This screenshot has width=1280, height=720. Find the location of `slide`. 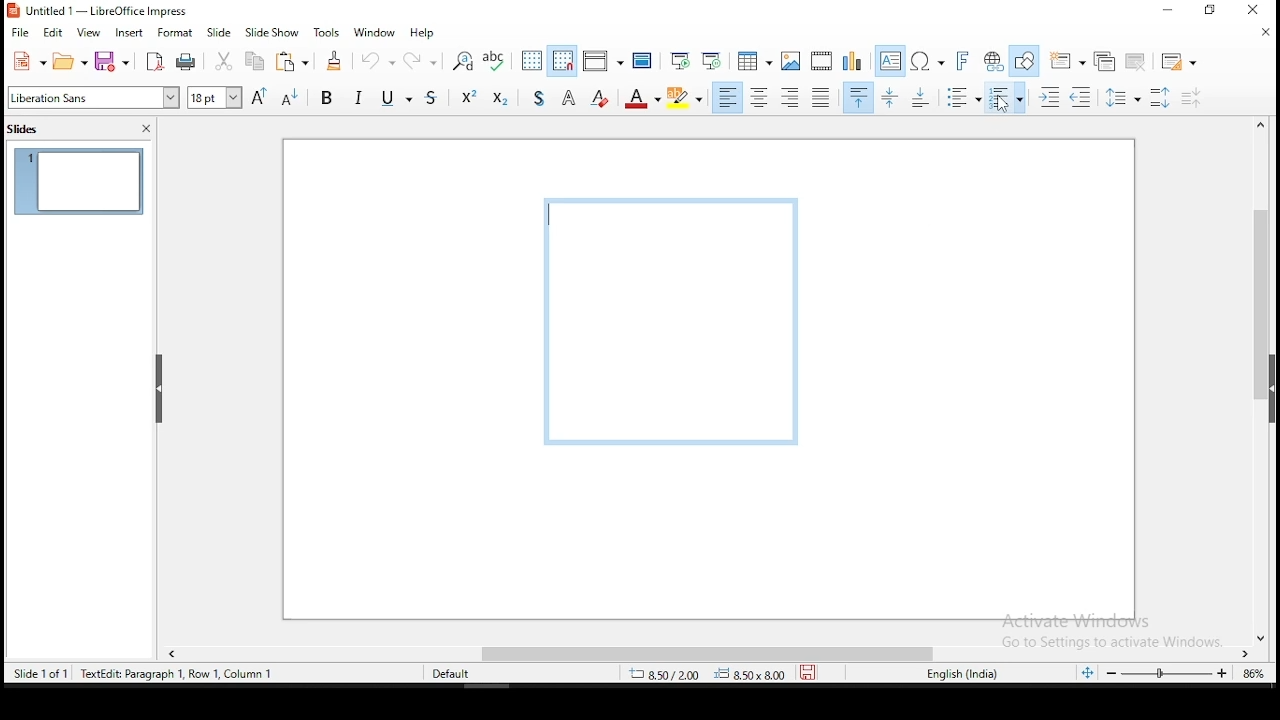

slide is located at coordinates (223, 32).